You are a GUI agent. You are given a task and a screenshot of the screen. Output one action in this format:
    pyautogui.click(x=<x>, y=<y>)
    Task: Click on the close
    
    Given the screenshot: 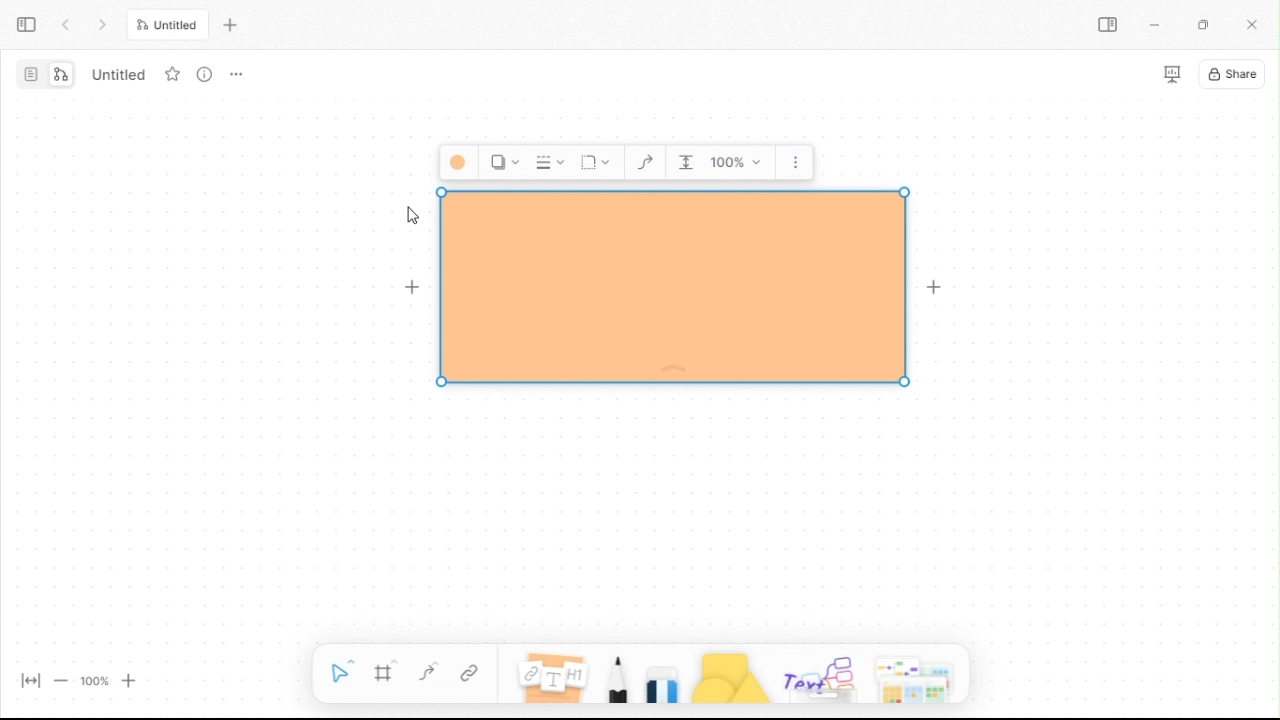 What is the action you would take?
    pyautogui.click(x=1255, y=25)
    